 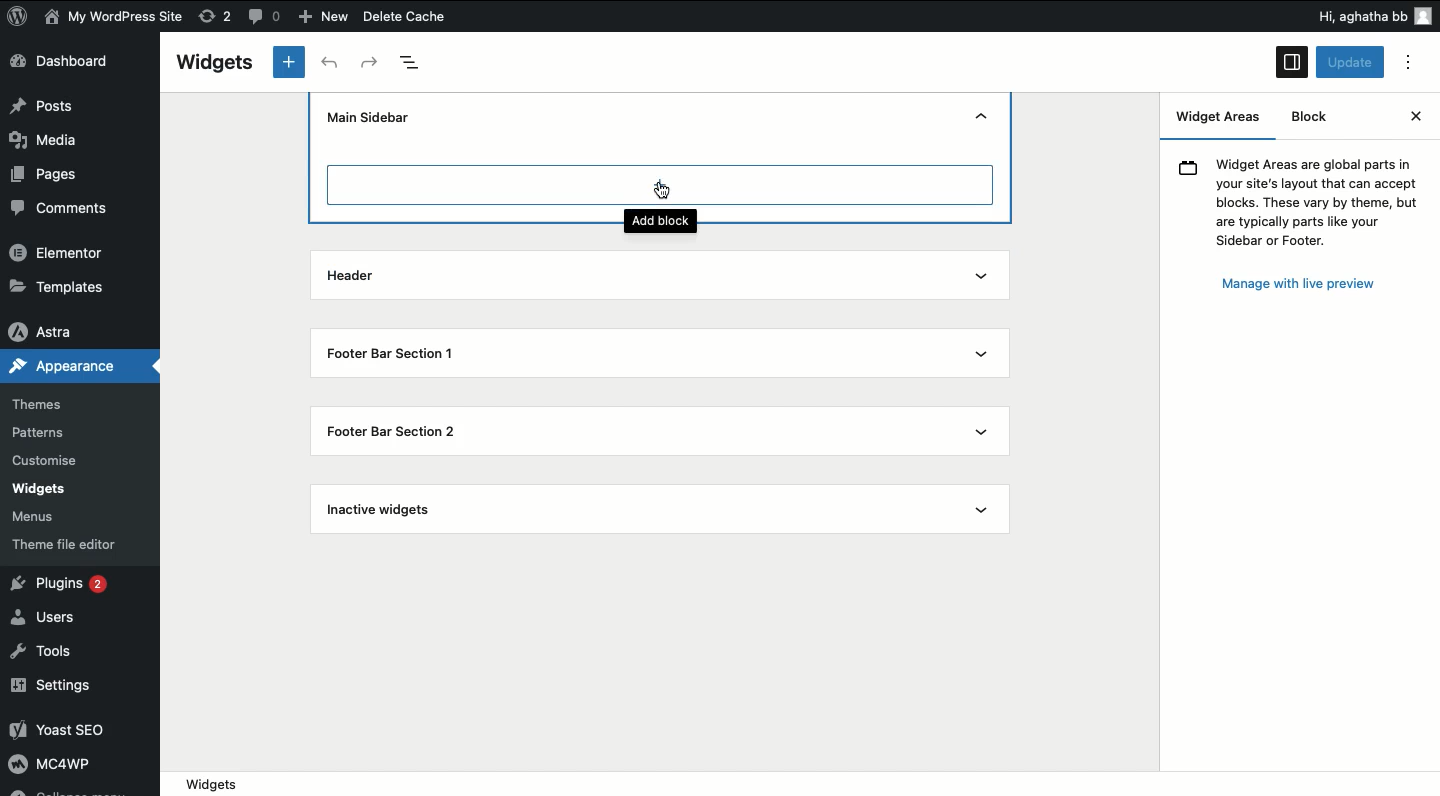 What do you see at coordinates (809, 784) in the screenshot?
I see `Location` at bounding box center [809, 784].